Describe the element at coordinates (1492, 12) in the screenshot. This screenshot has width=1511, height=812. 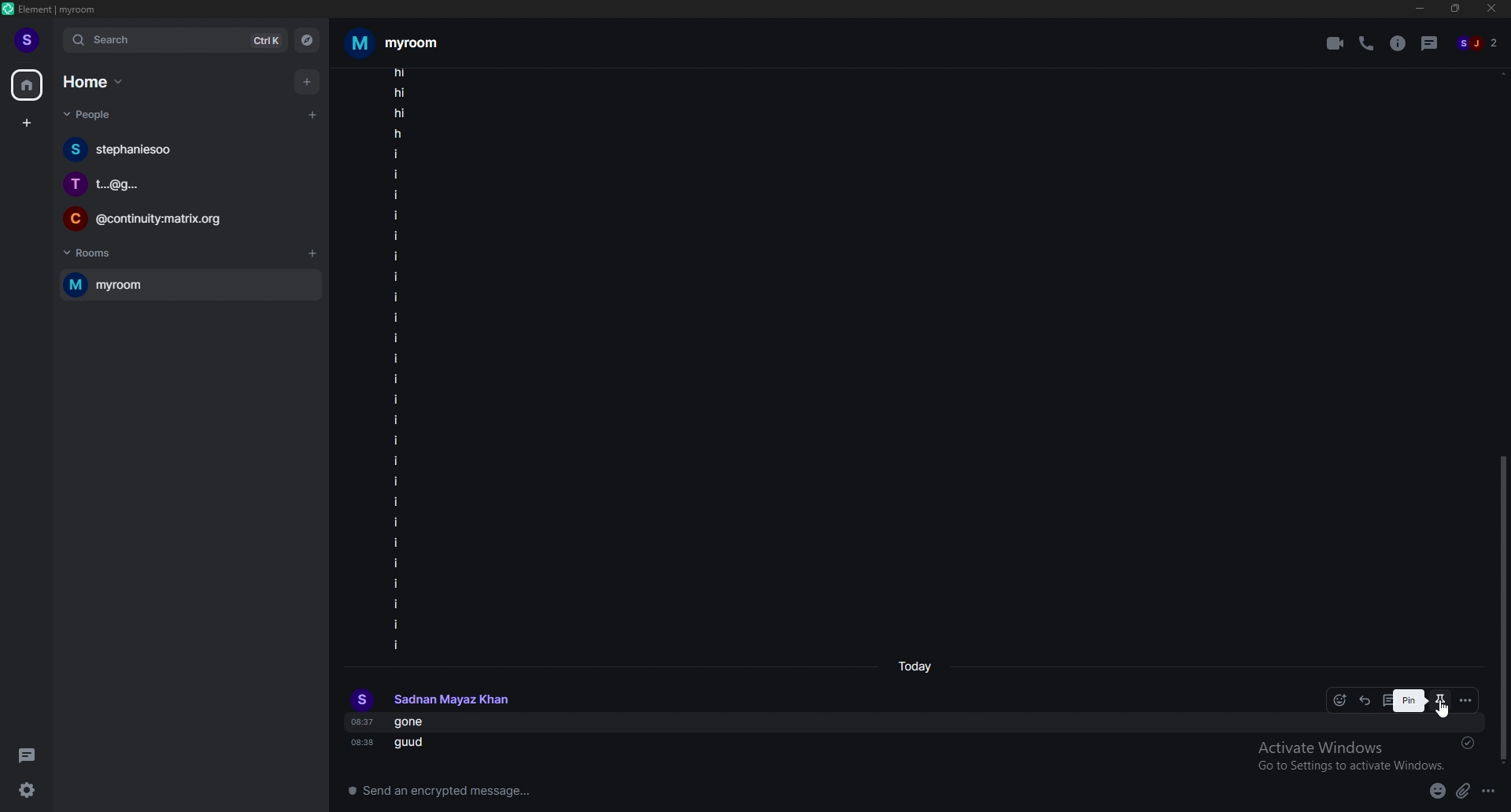
I see `close` at that location.